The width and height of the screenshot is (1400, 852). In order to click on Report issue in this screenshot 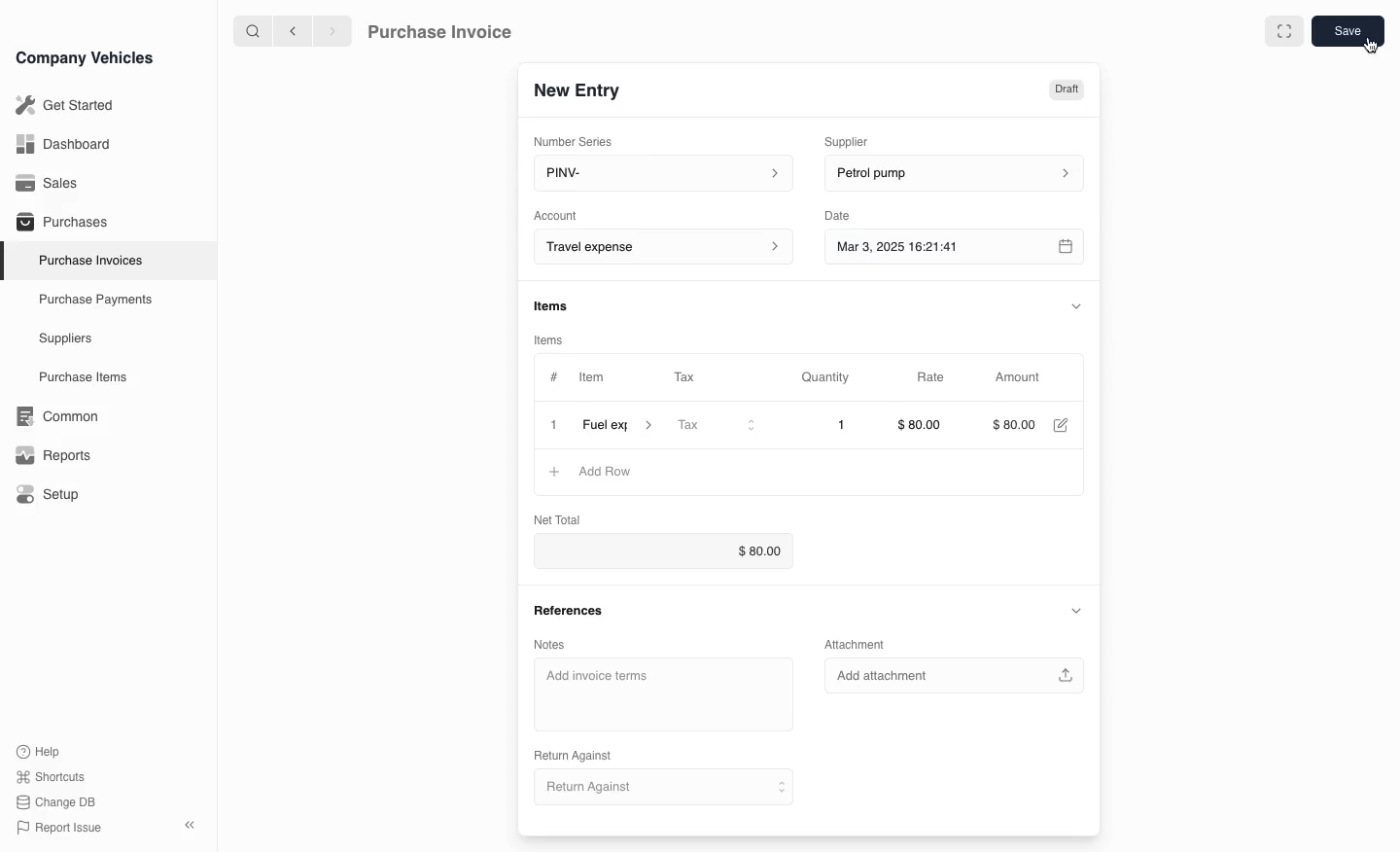, I will do `click(62, 829)`.